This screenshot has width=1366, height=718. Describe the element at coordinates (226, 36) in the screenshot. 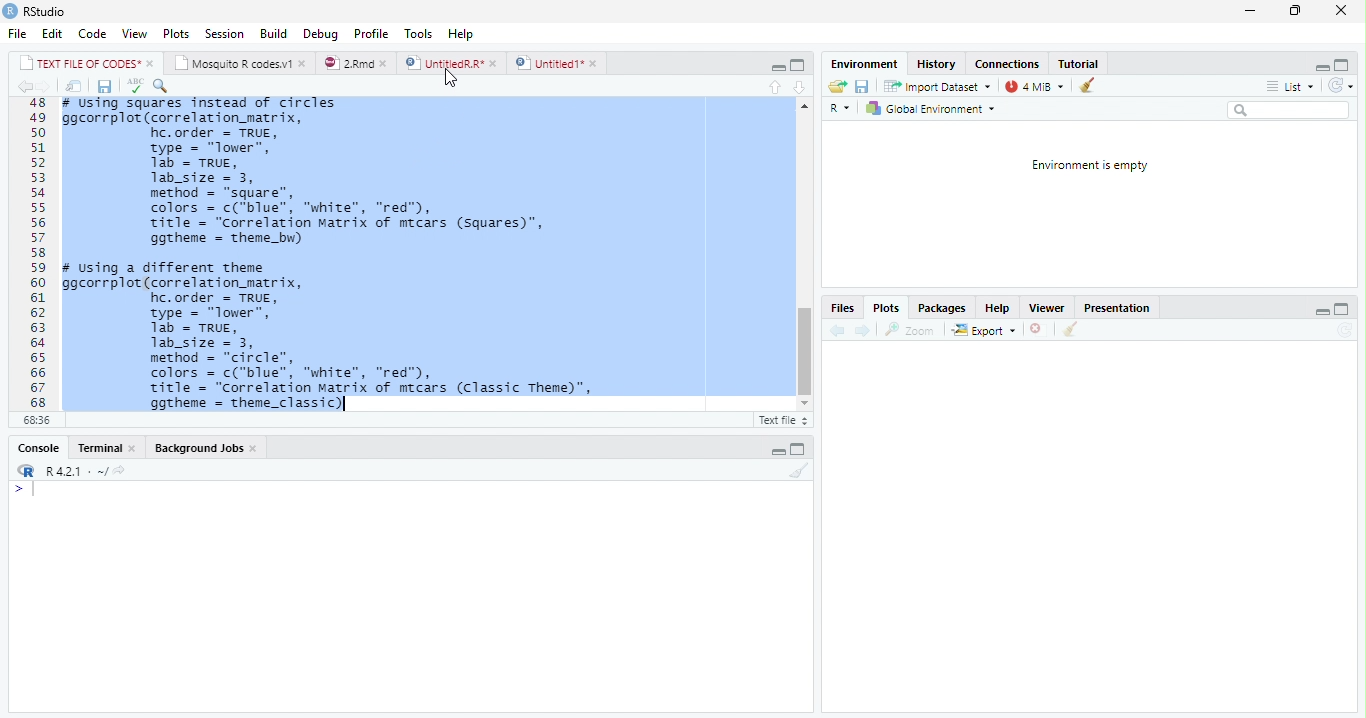

I see `Session` at that location.